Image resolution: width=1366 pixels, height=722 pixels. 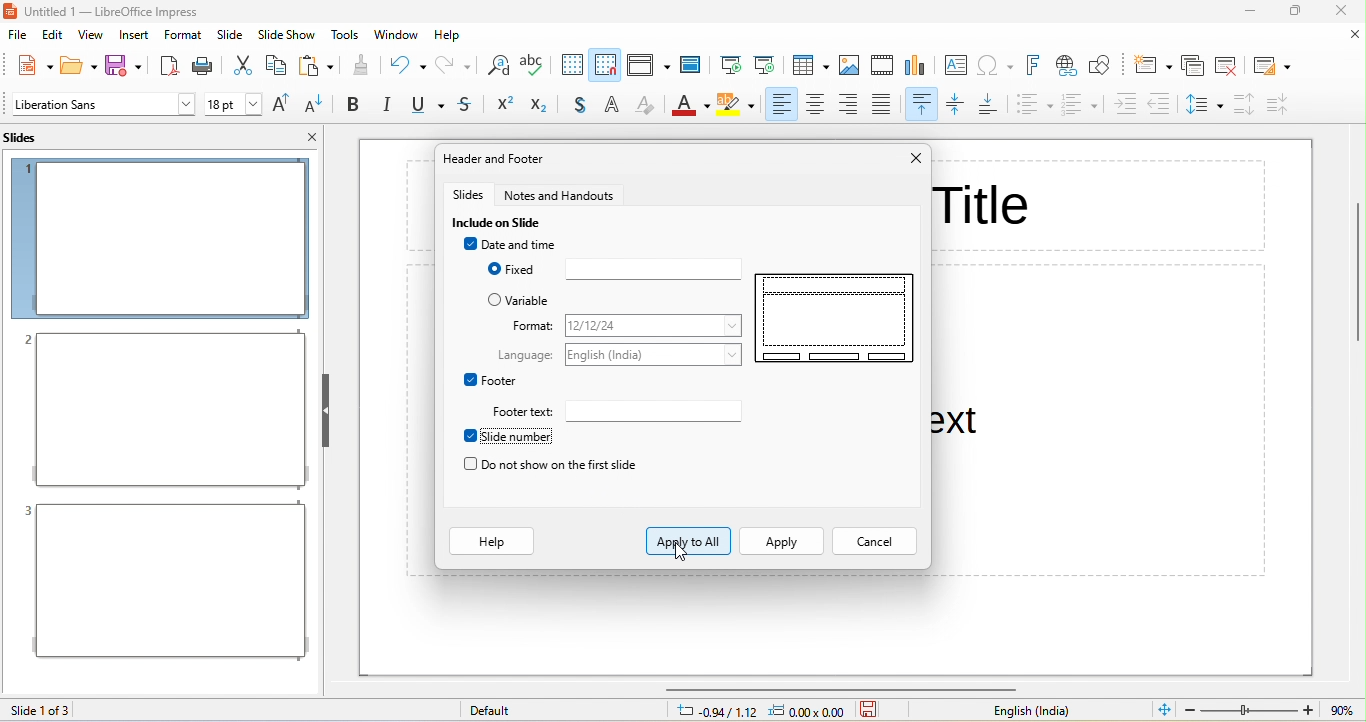 I want to click on delete slide, so click(x=1229, y=64).